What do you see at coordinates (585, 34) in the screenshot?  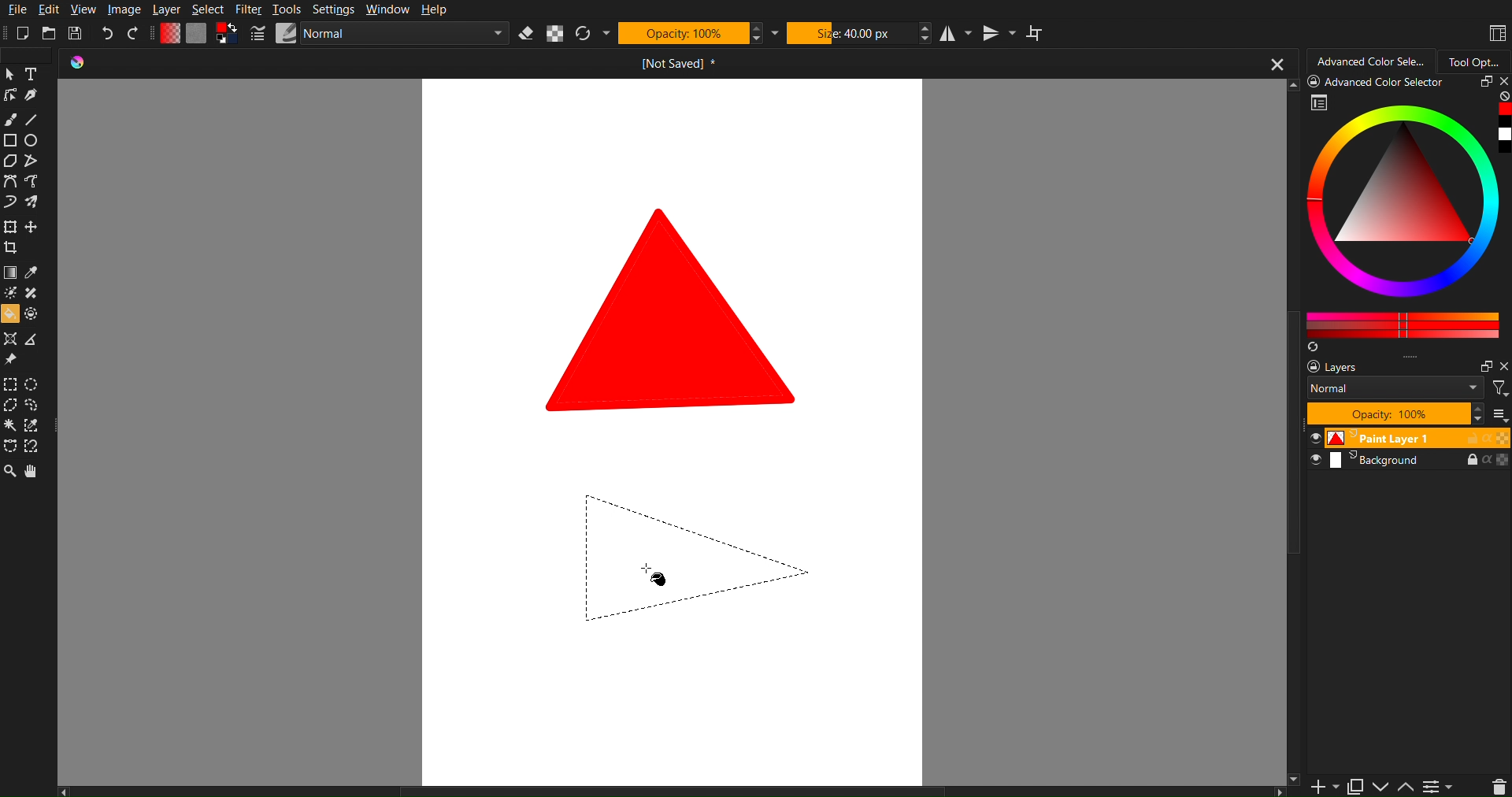 I see `Refresh` at bounding box center [585, 34].